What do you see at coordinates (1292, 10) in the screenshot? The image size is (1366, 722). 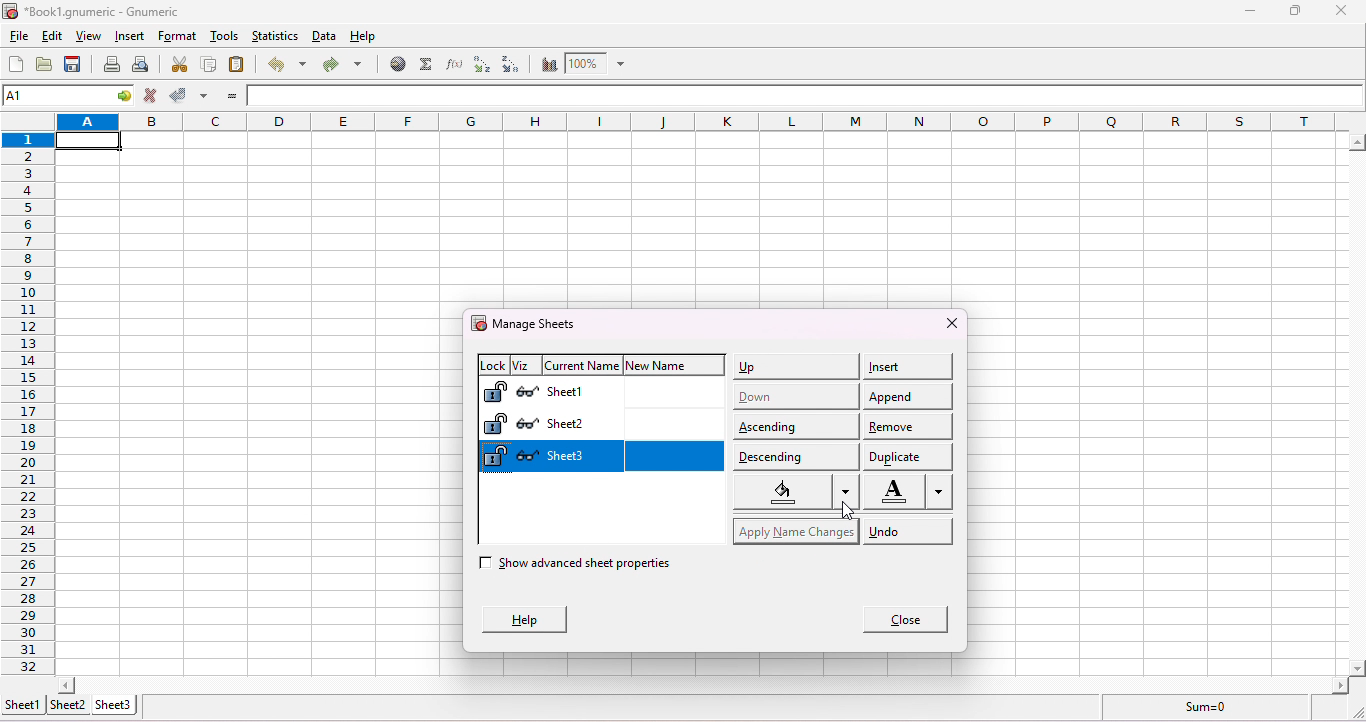 I see `maximize` at bounding box center [1292, 10].